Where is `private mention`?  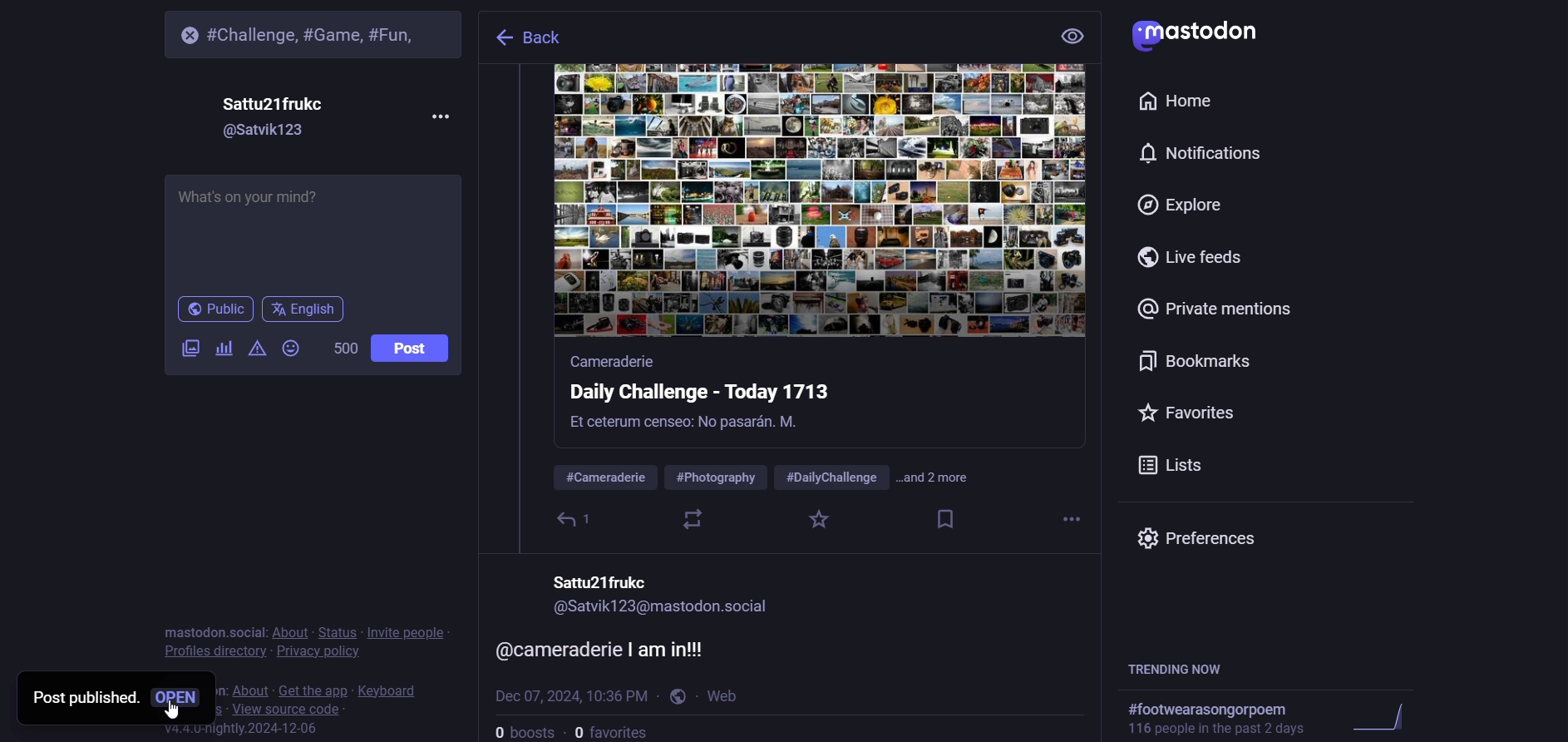 private mention is located at coordinates (1215, 309).